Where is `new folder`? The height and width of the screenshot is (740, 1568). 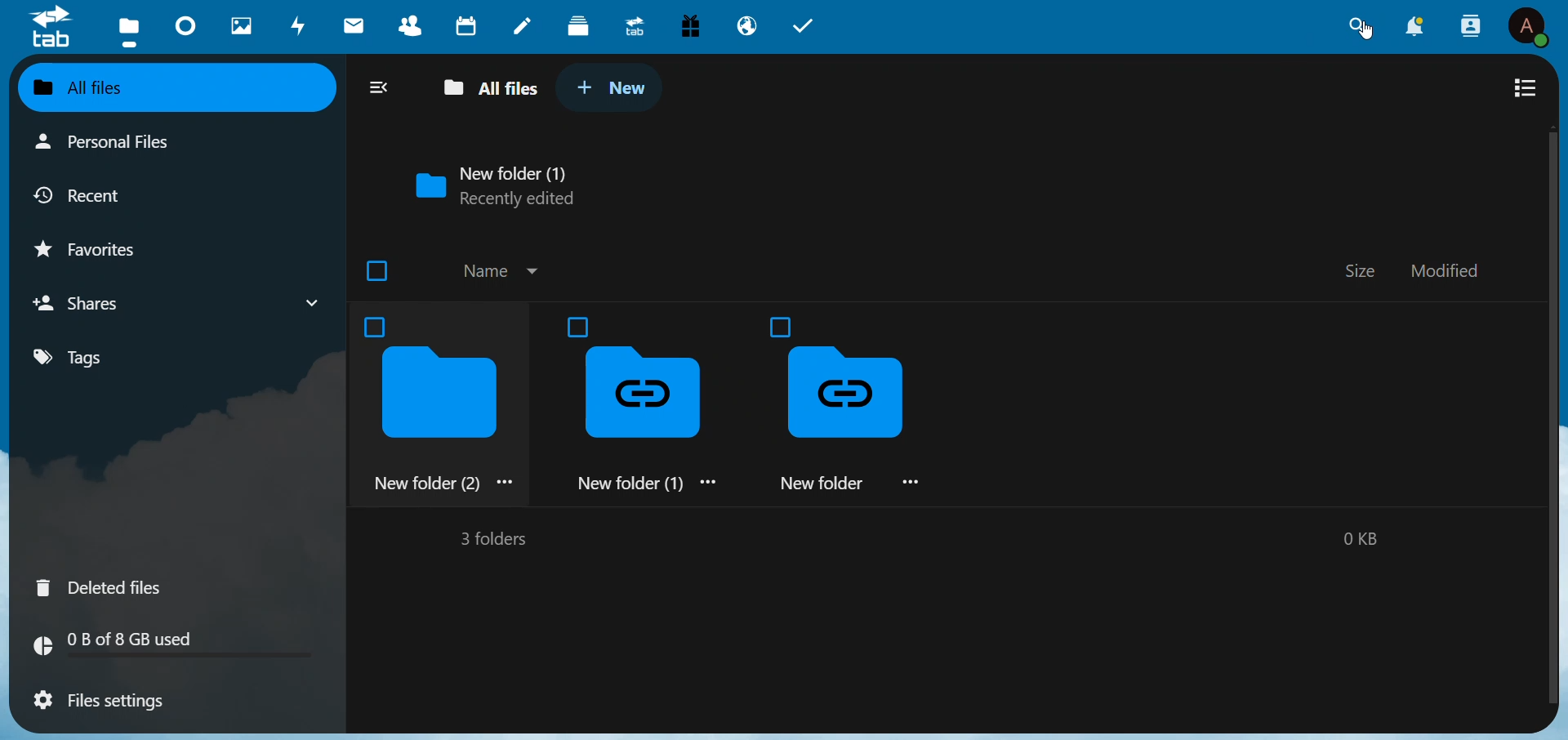 new folder is located at coordinates (841, 402).